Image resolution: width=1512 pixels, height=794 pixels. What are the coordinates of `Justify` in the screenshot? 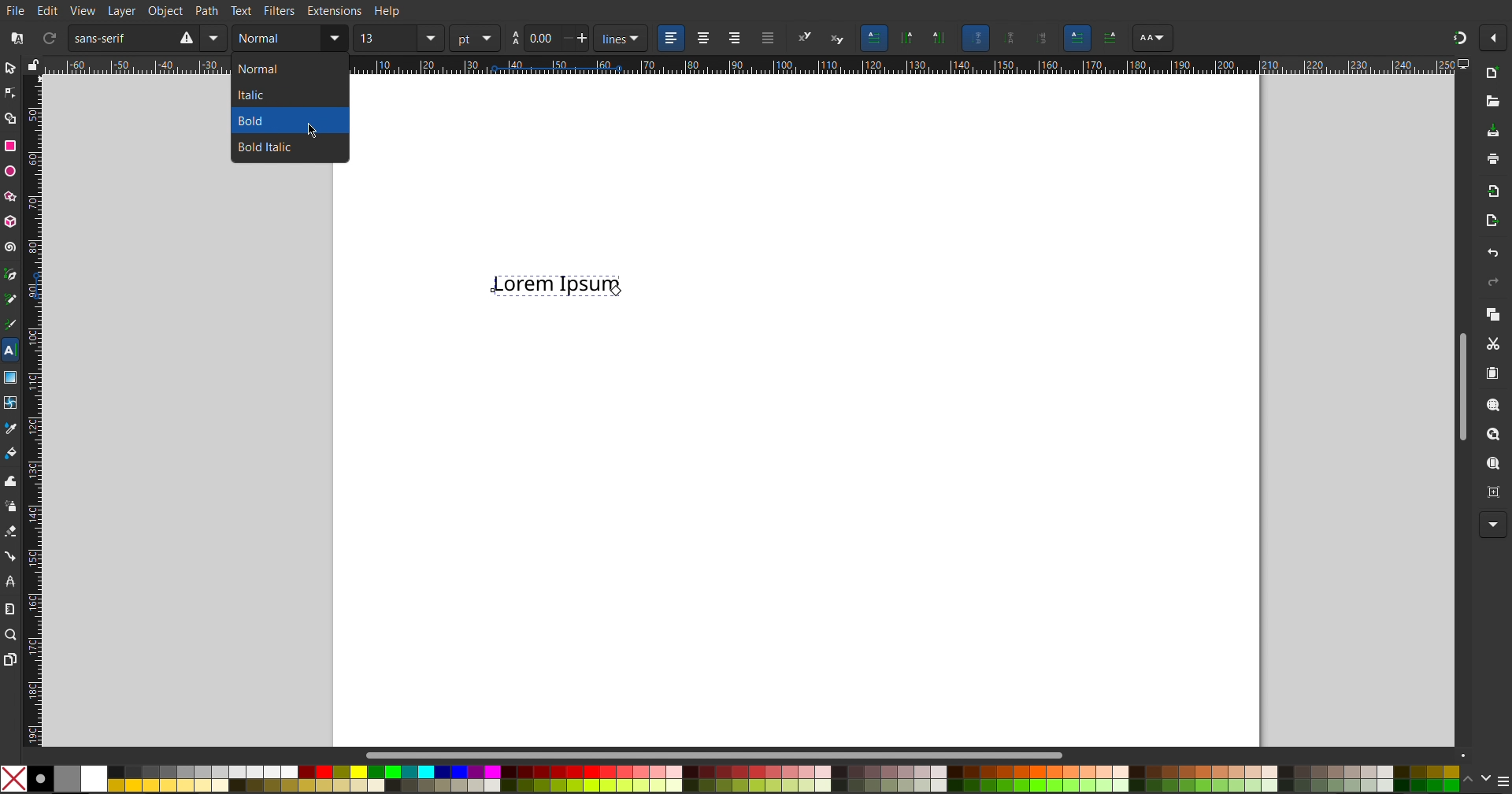 It's located at (768, 39).